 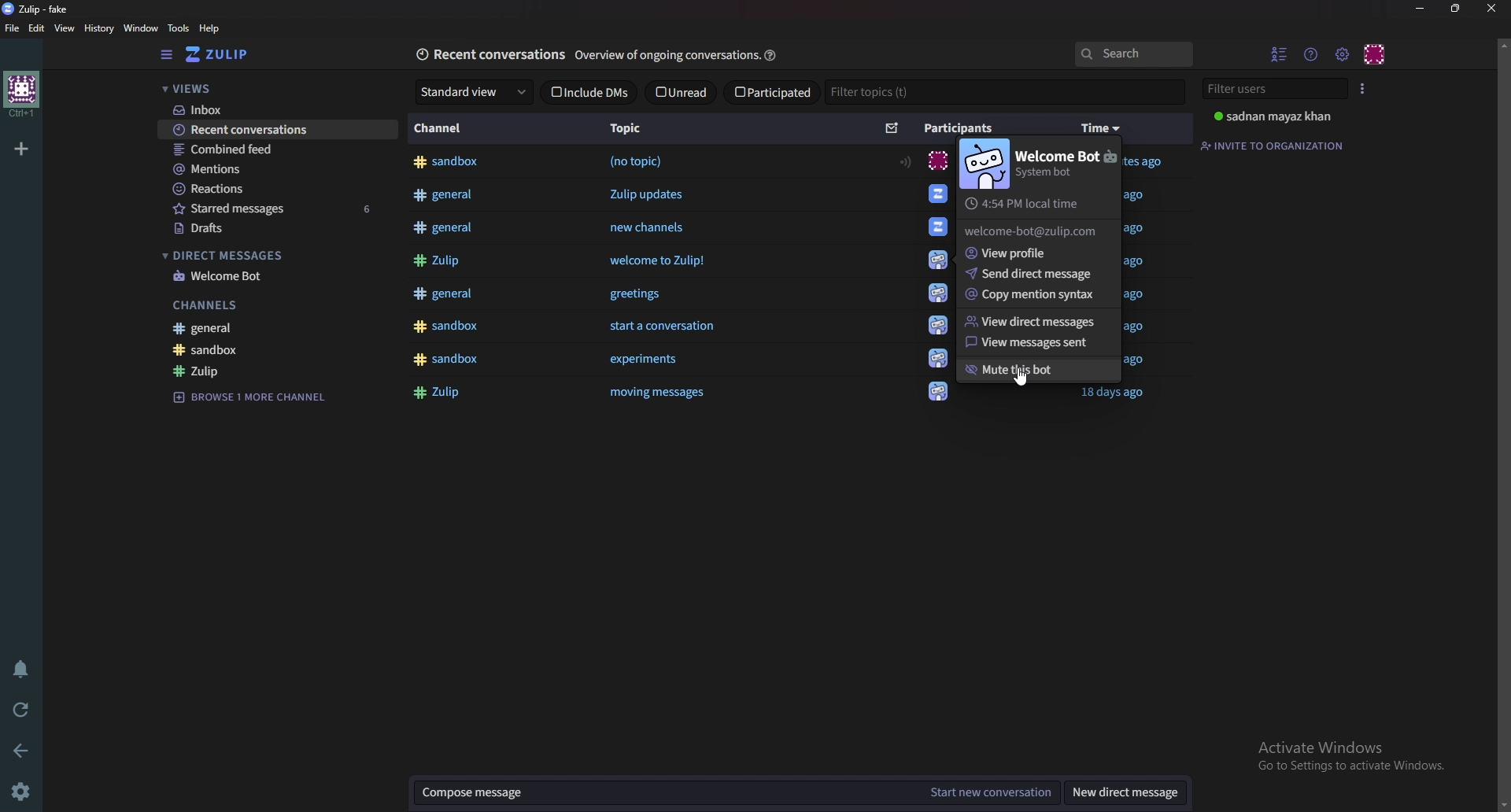 I want to click on  Personal menu, so click(x=1375, y=54).